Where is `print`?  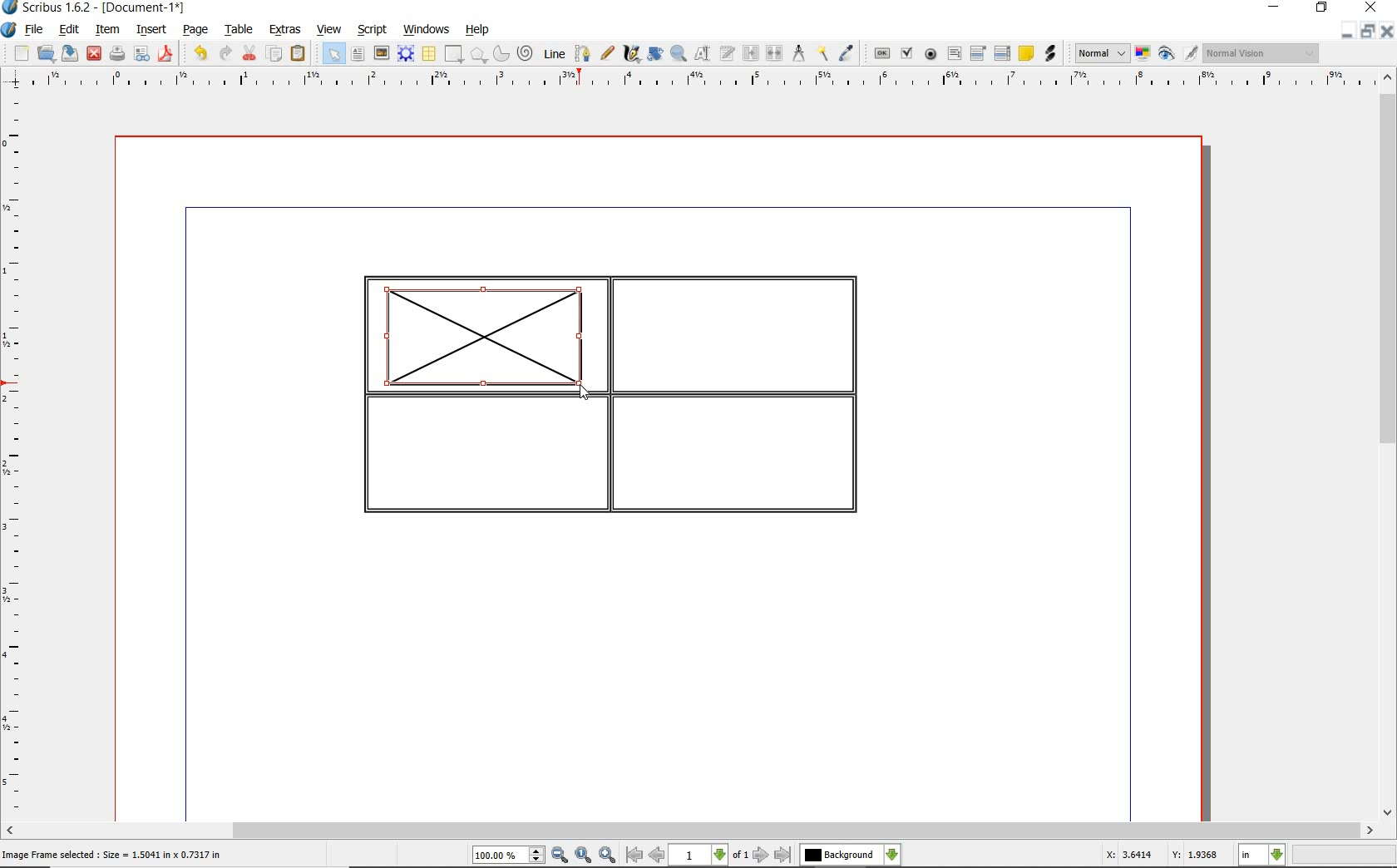 print is located at coordinates (116, 53).